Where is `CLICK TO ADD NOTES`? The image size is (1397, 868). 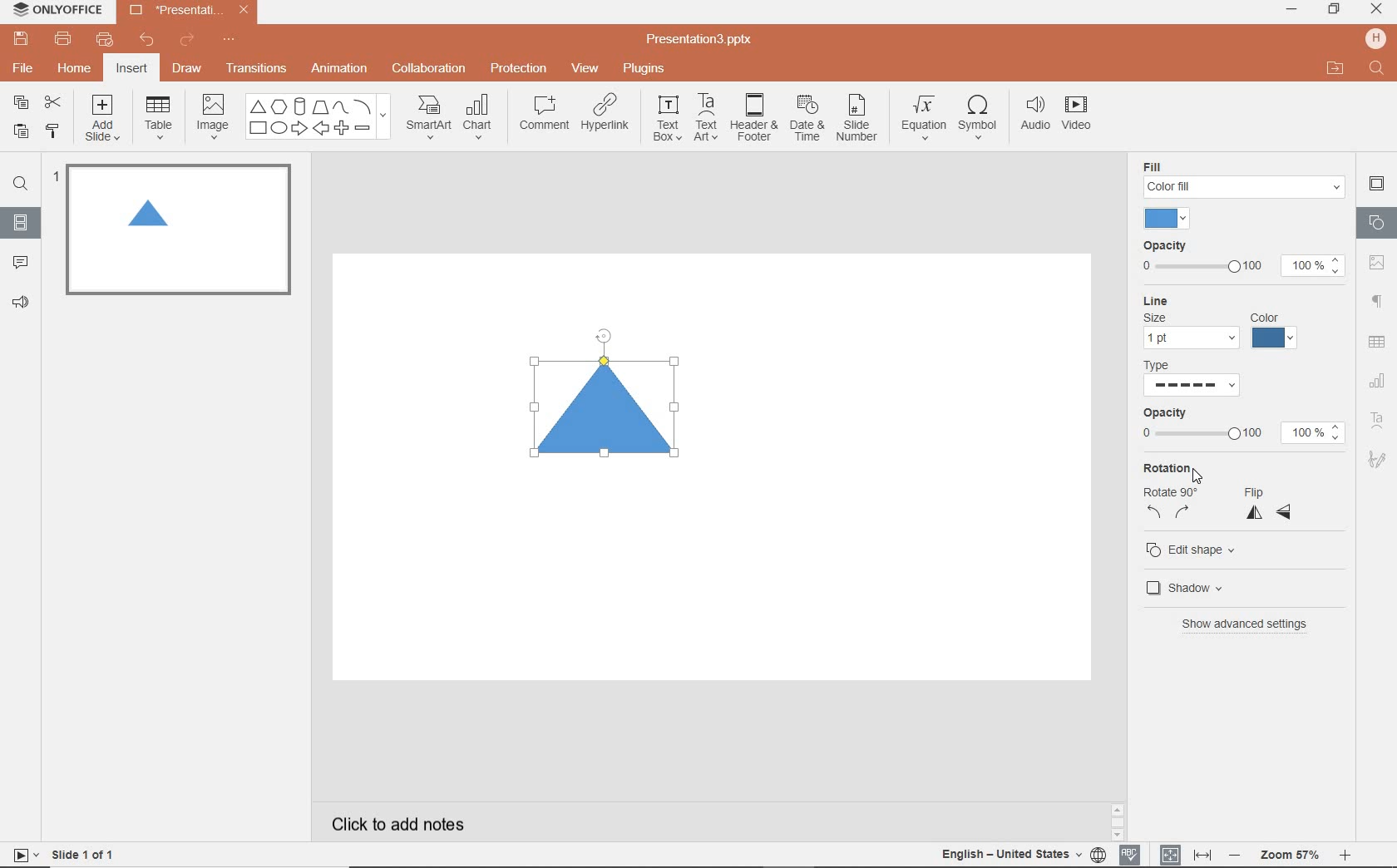
CLICK TO ADD NOTES is located at coordinates (413, 824).